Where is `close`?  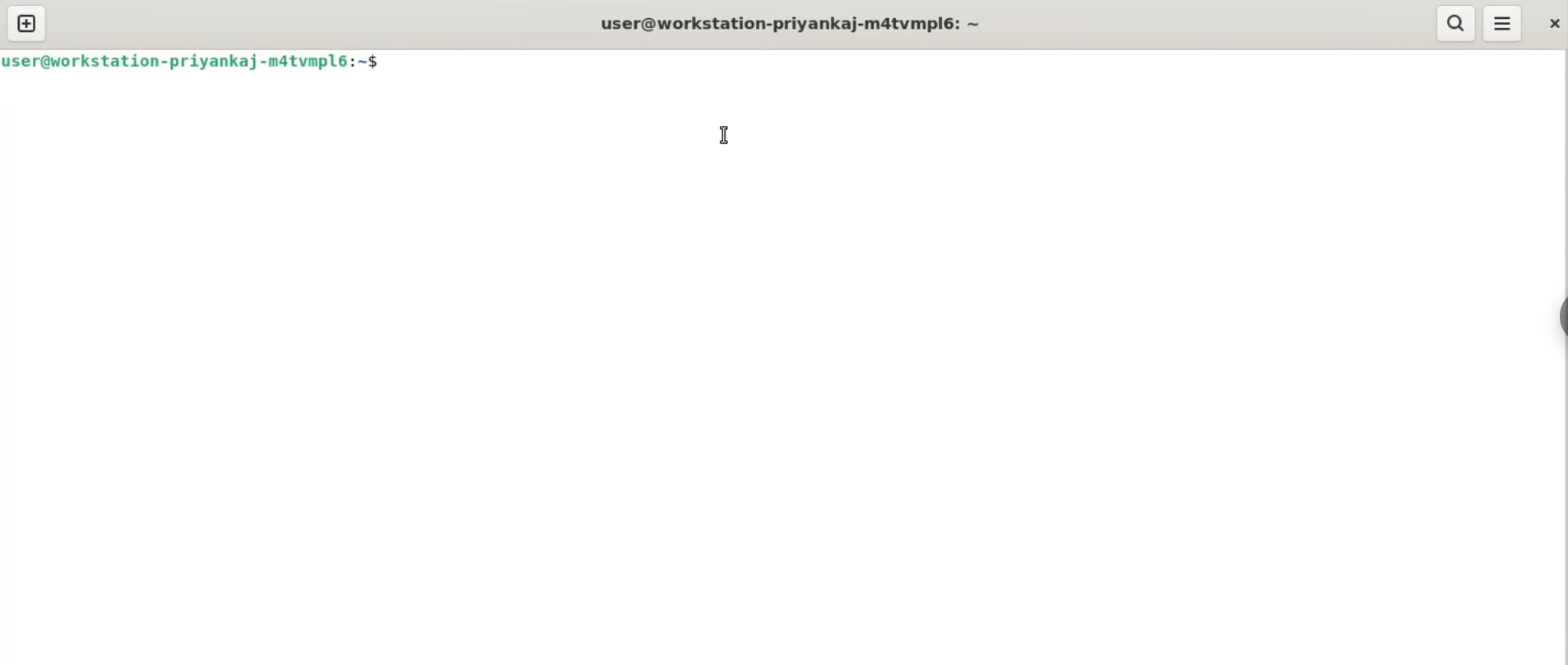
close is located at coordinates (1552, 23).